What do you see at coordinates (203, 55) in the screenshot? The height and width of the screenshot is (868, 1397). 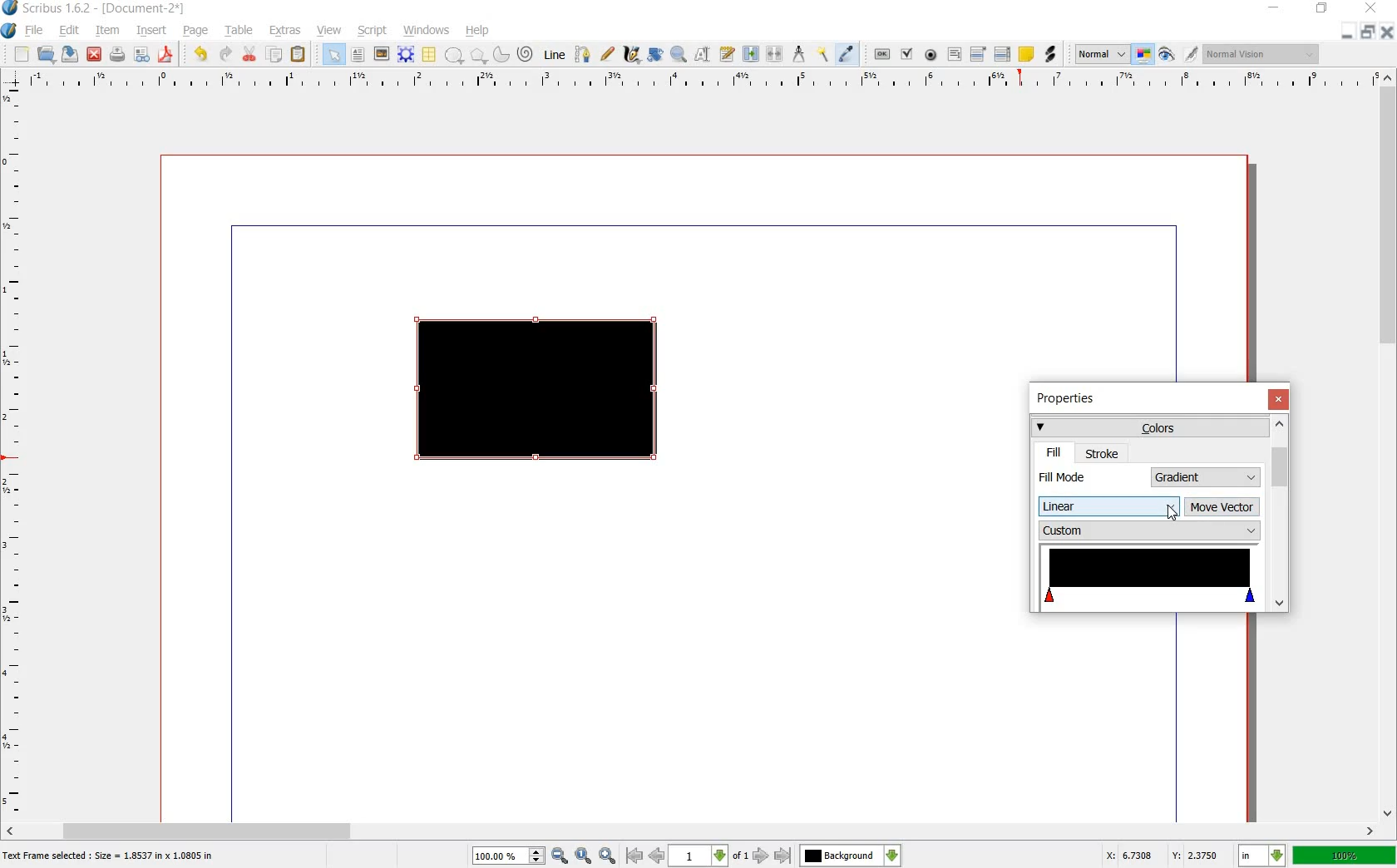 I see `undo` at bounding box center [203, 55].